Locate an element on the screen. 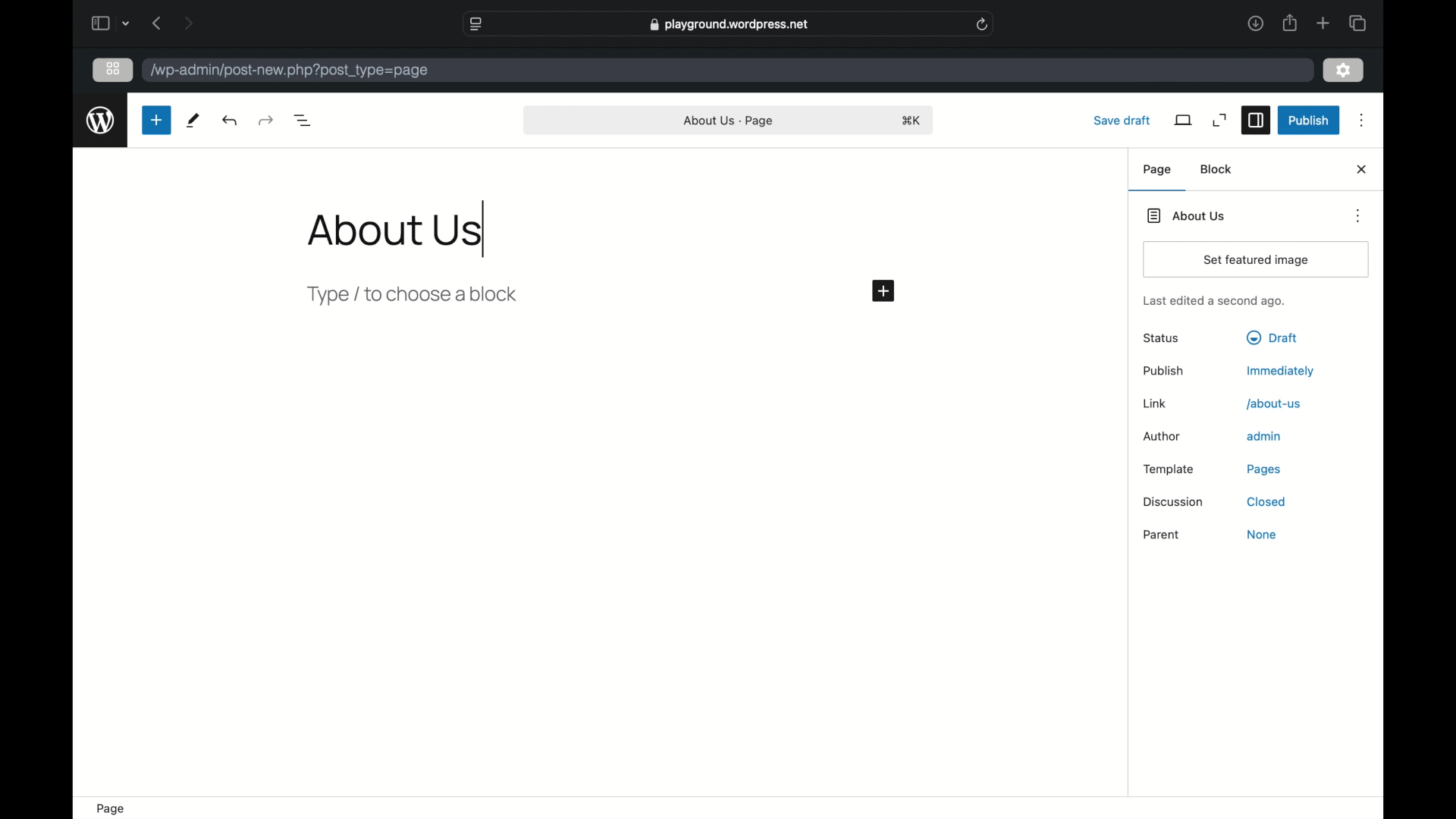 The height and width of the screenshot is (819, 1456). redo is located at coordinates (231, 121).